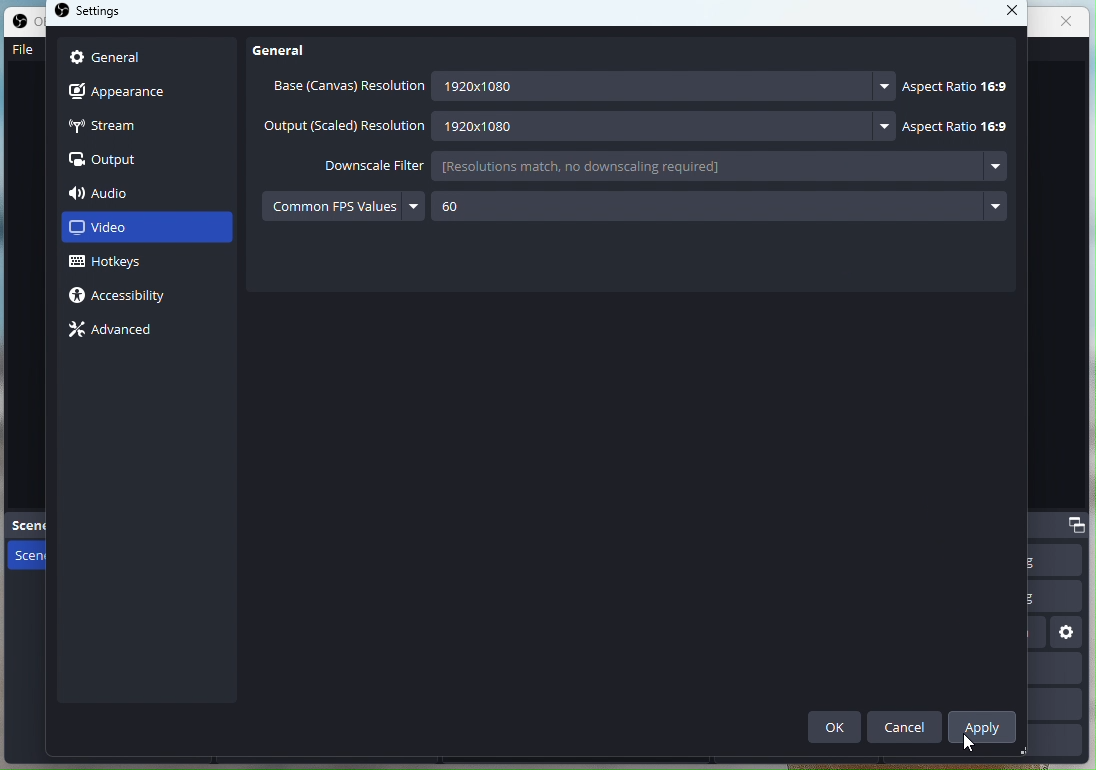 The image size is (1096, 770). Describe the element at coordinates (995, 168) in the screenshot. I see `more options` at that location.